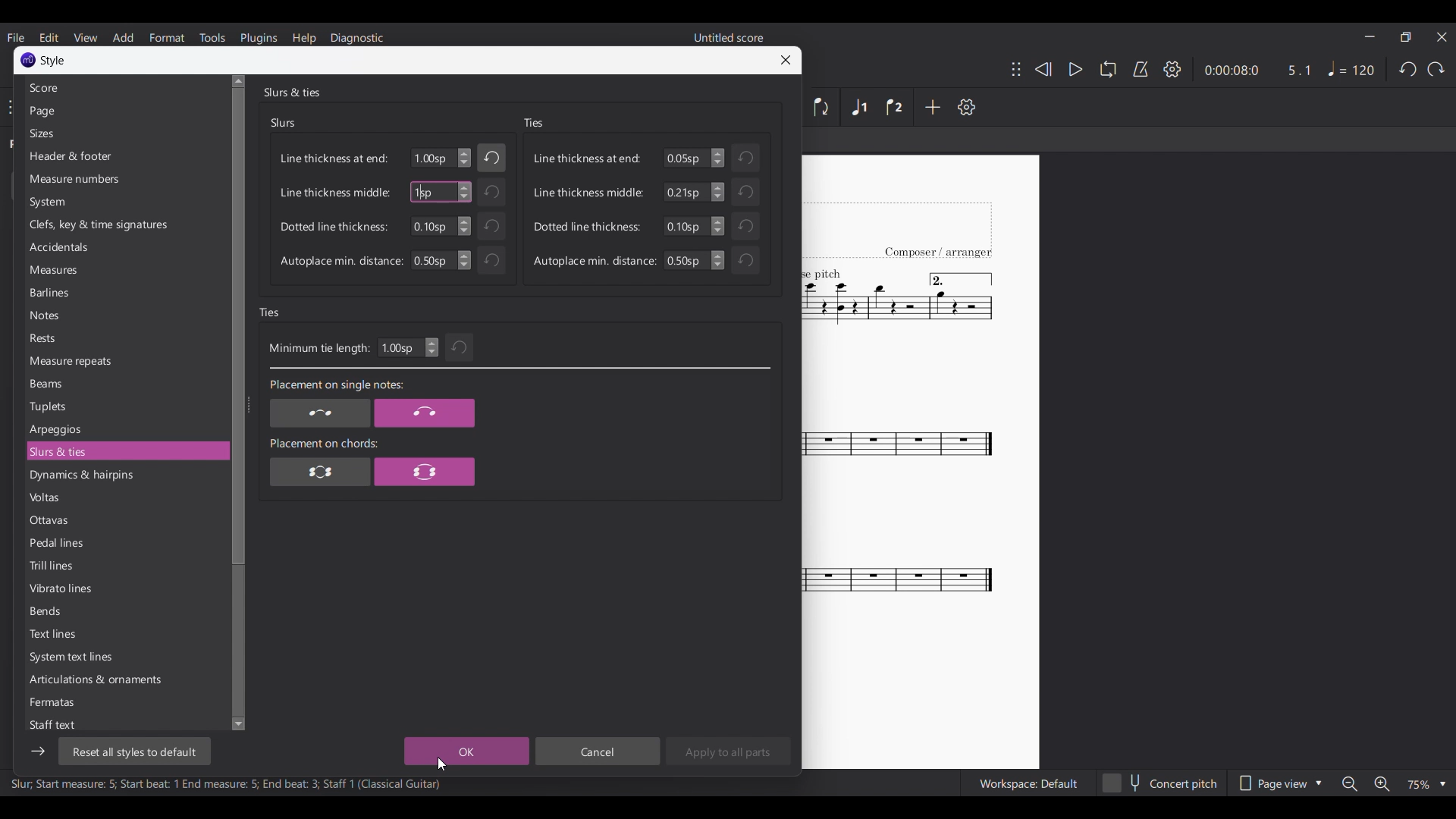  I want to click on Voice 1, highlighted, so click(860, 108).